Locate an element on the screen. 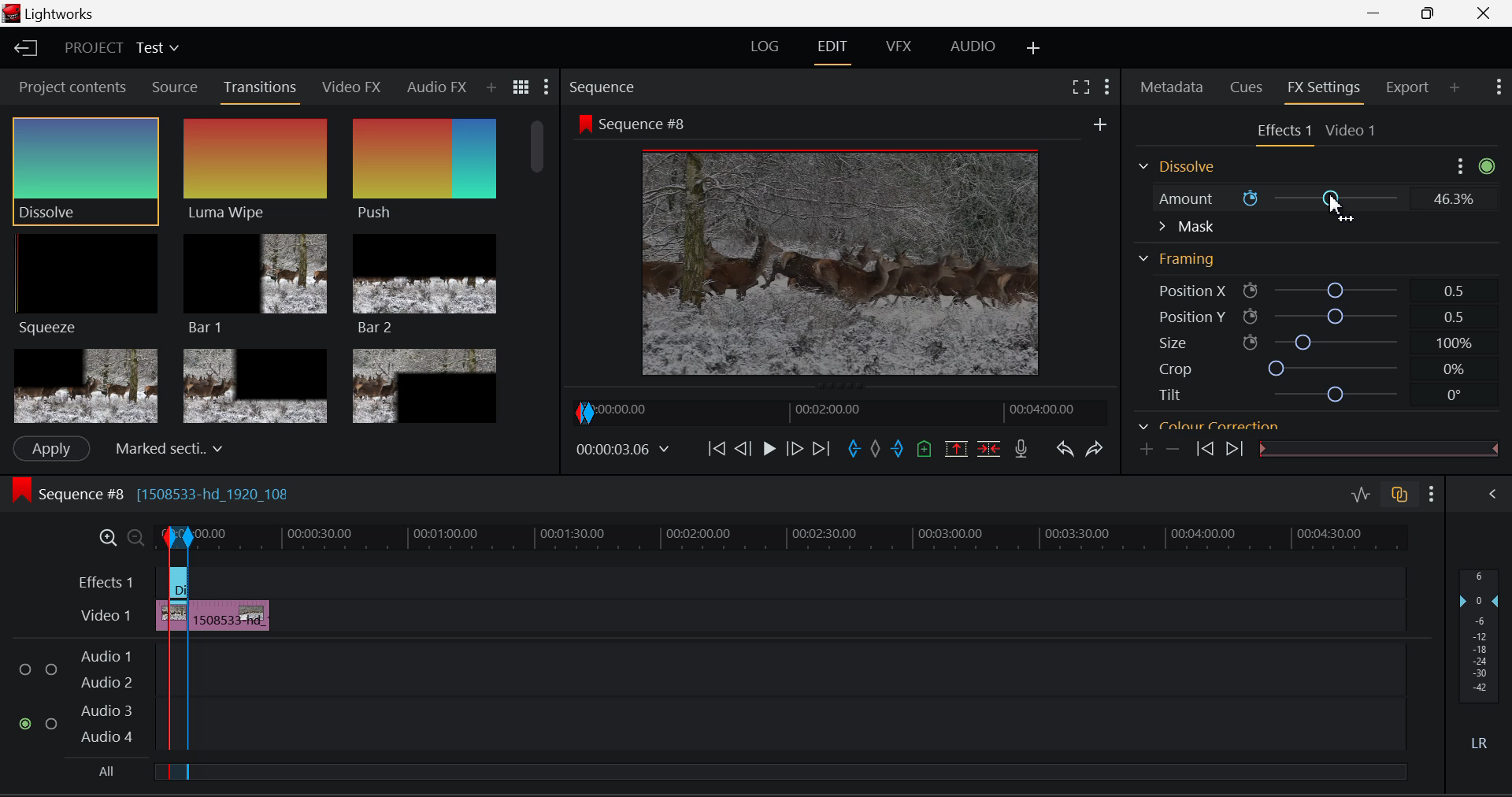 Image resolution: width=1512 pixels, height=797 pixels. VFX Layout is located at coordinates (902, 48).